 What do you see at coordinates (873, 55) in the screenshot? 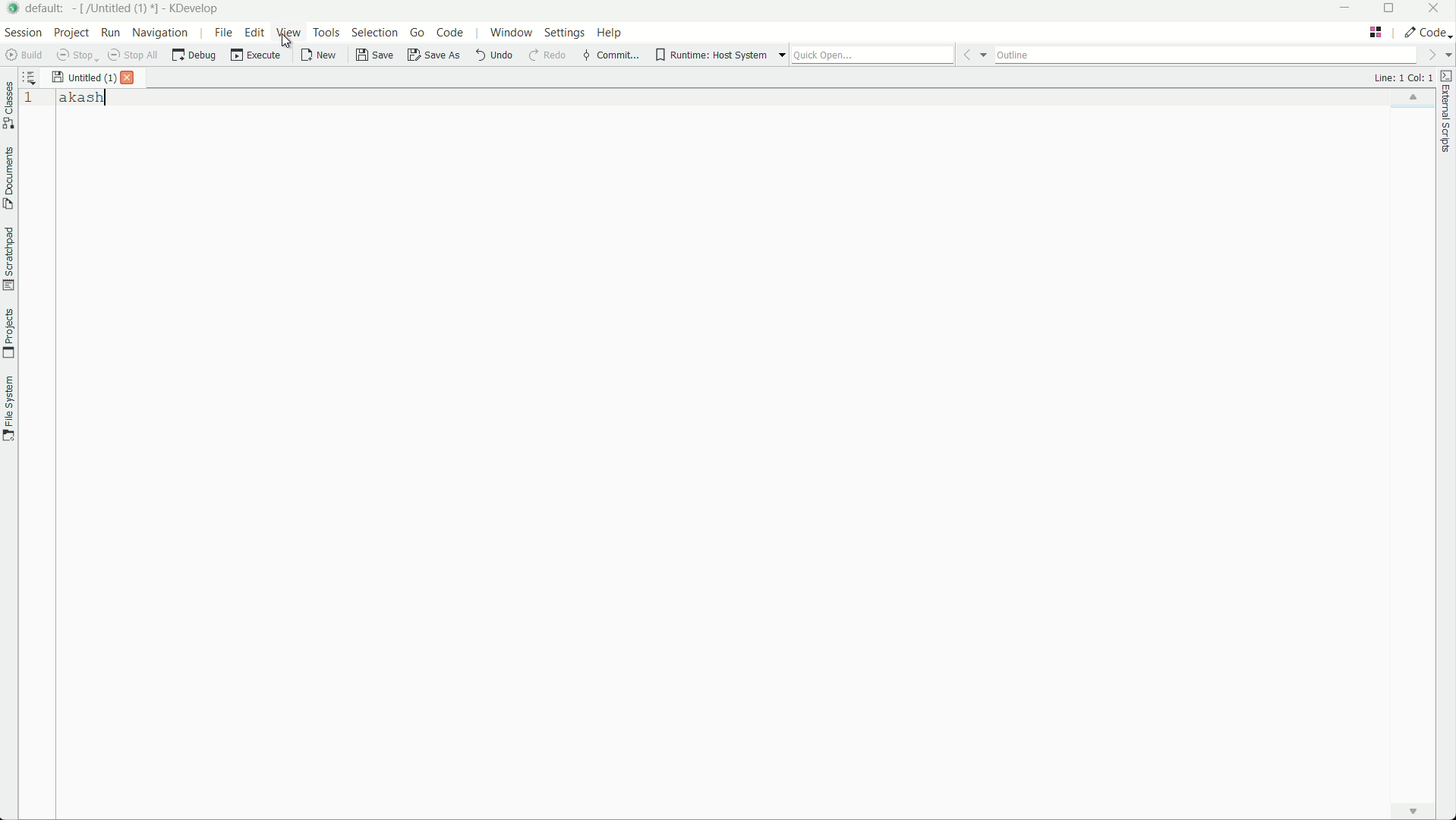
I see `quick open` at bounding box center [873, 55].